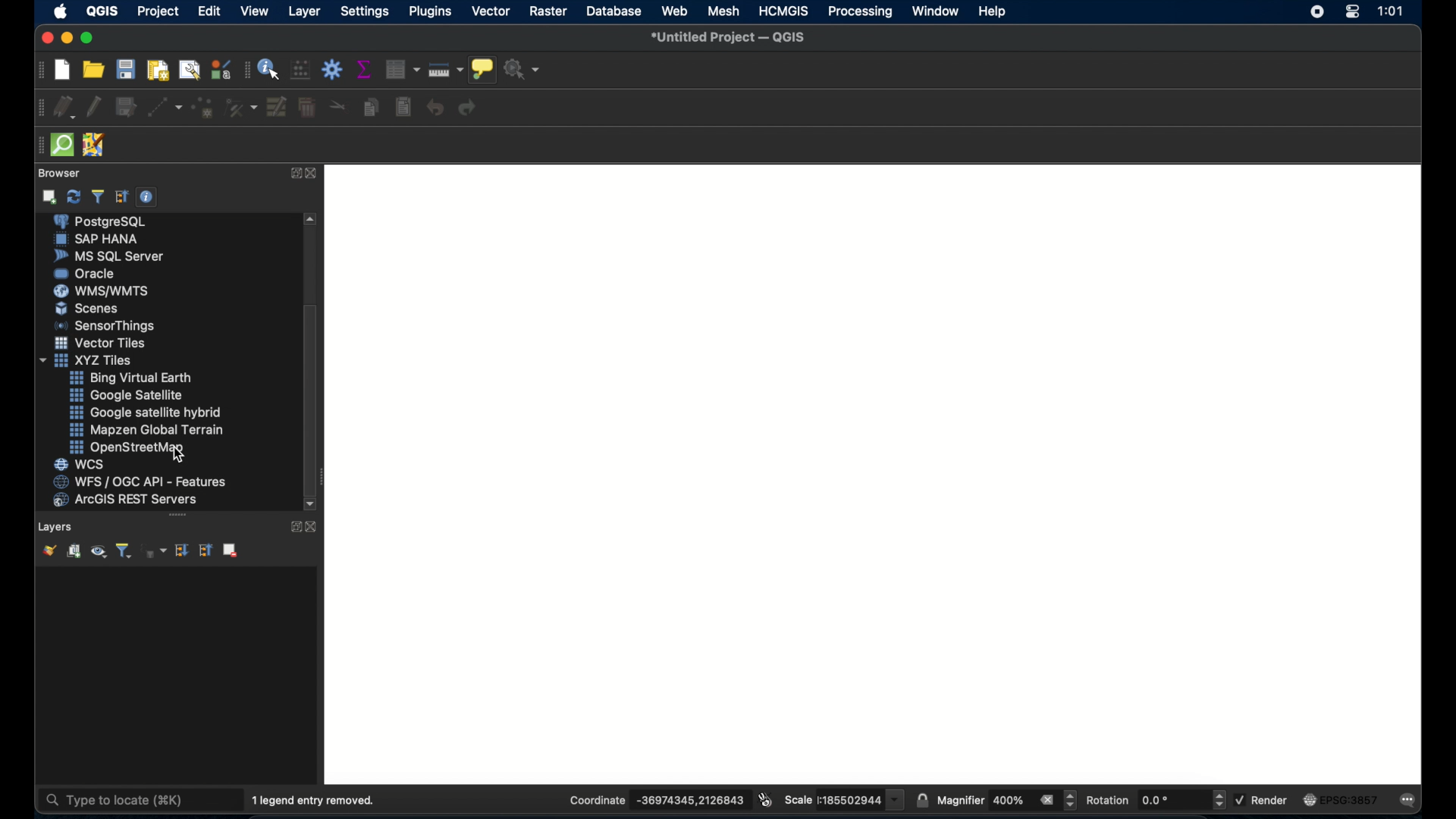 The height and width of the screenshot is (819, 1456). What do you see at coordinates (96, 196) in the screenshot?
I see `filter browser` at bounding box center [96, 196].